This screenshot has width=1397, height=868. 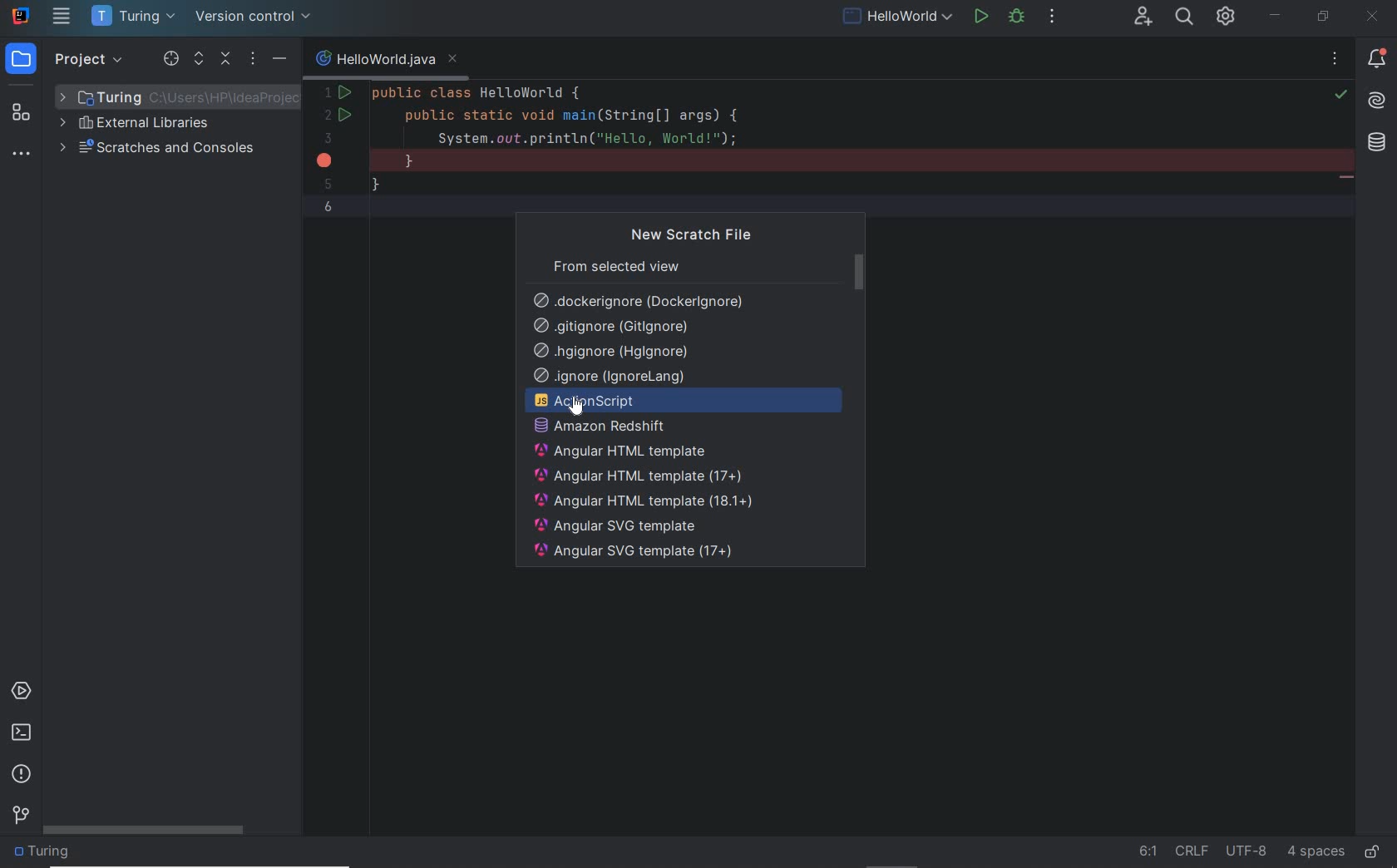 What do you see at coordinates (615, 265) in the screenshot?
I see `from selected view` at bounding box center [615, 265].